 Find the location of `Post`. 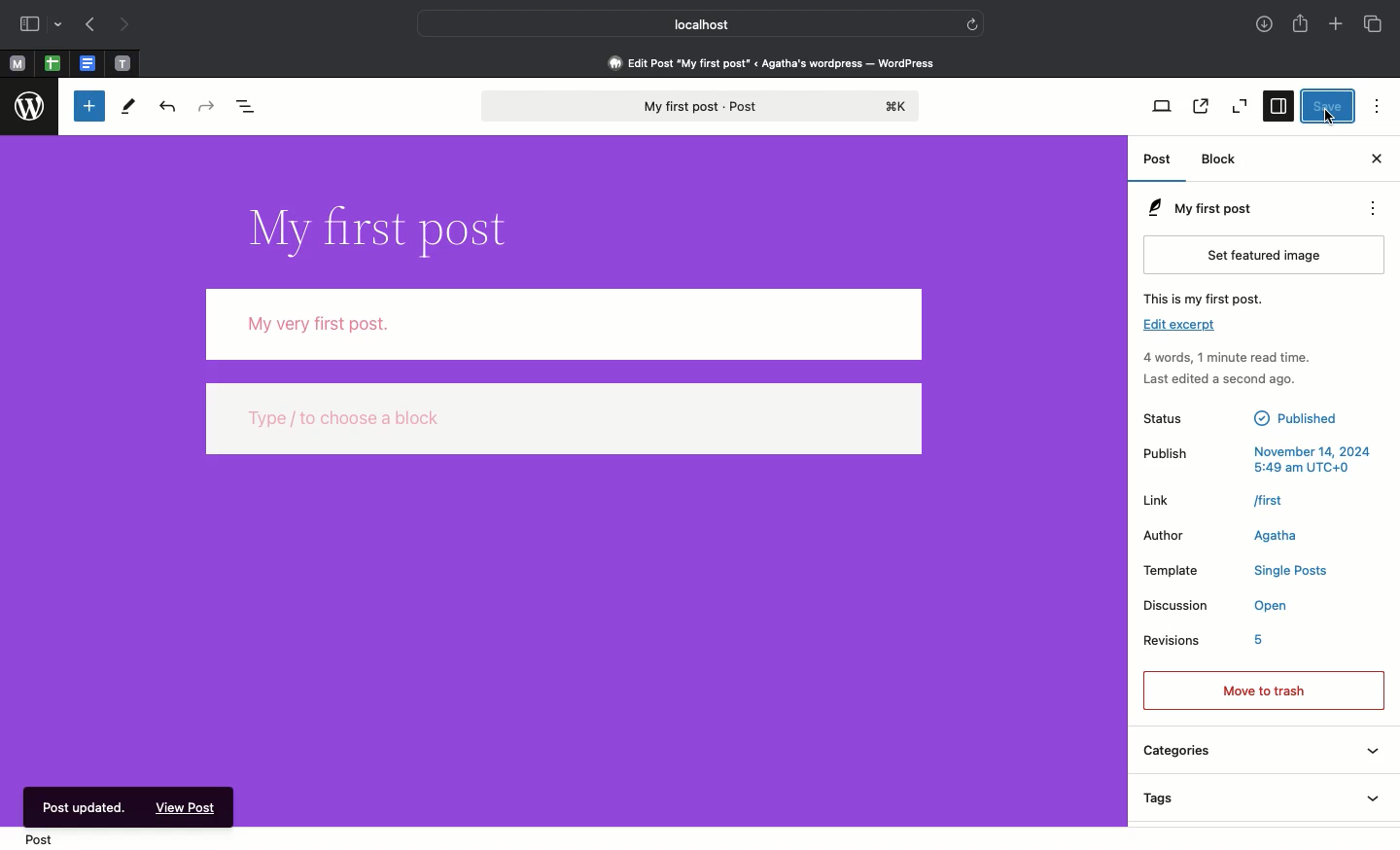

Post is located at coordinates (37, 837).